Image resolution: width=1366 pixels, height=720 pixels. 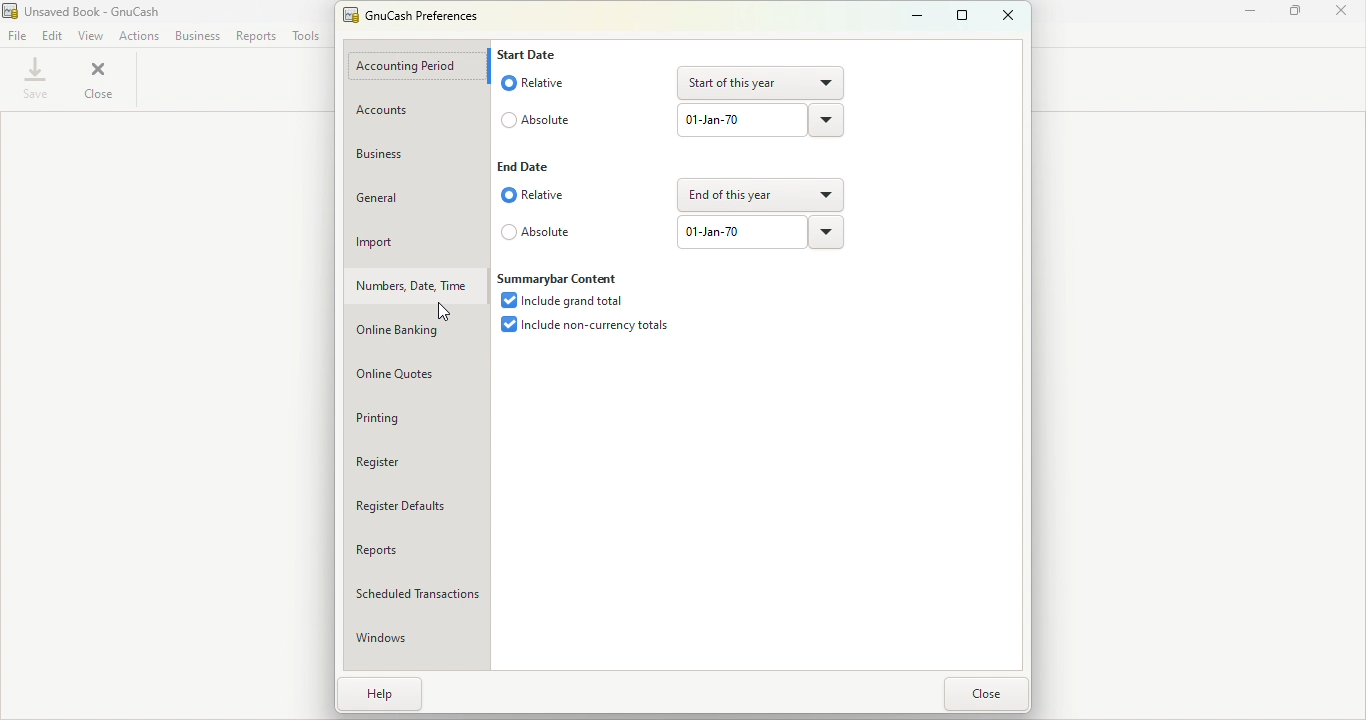 What do you see at coordinates (1293, 13) in the screenshot?
I see `Maximize` at bounding box center [1293, 13].